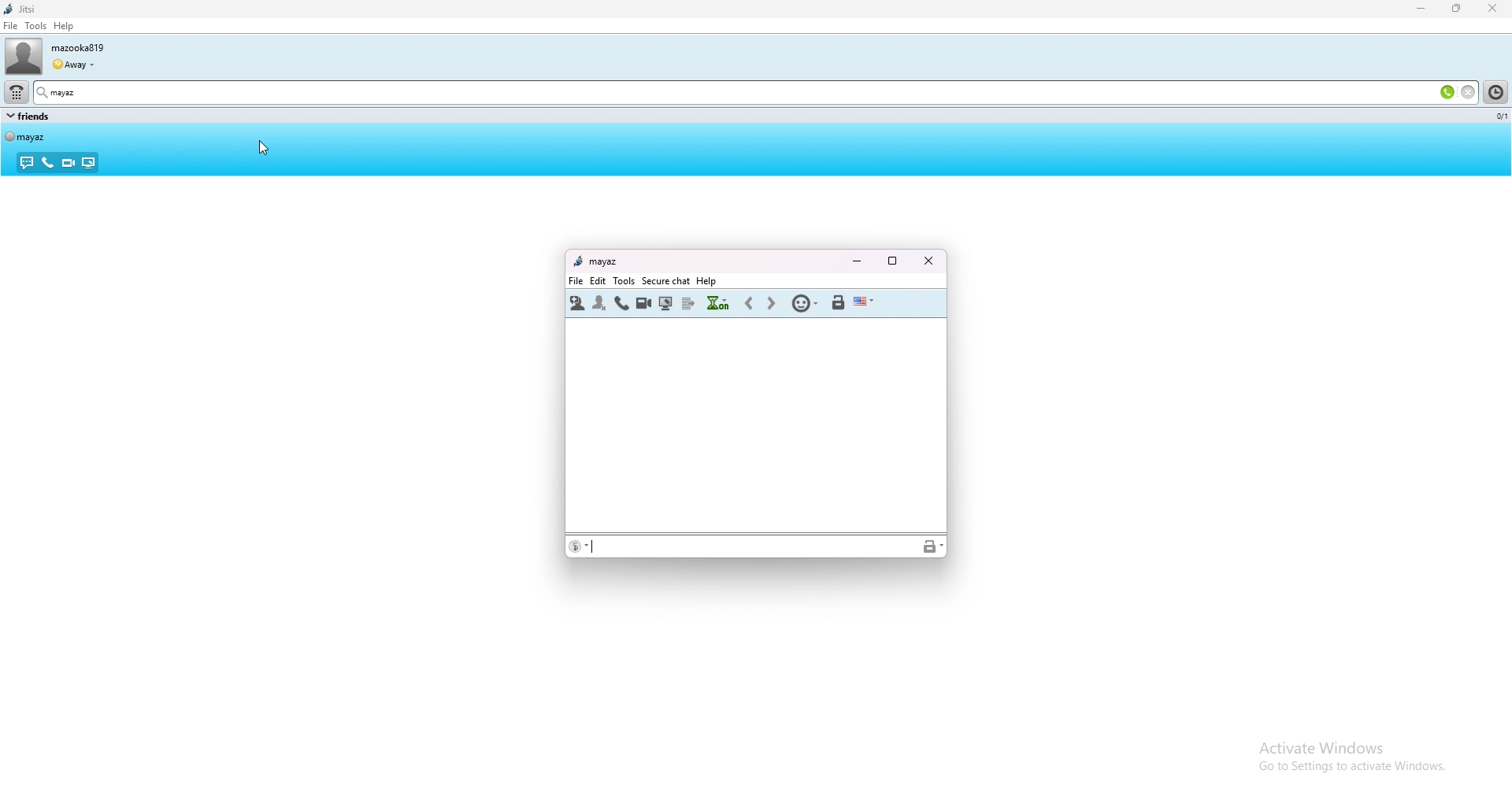 This screenshot has height=811, width=1512. Describe the element at coordinates (644, 303) in the screenshot. I see `call contact` at that location.